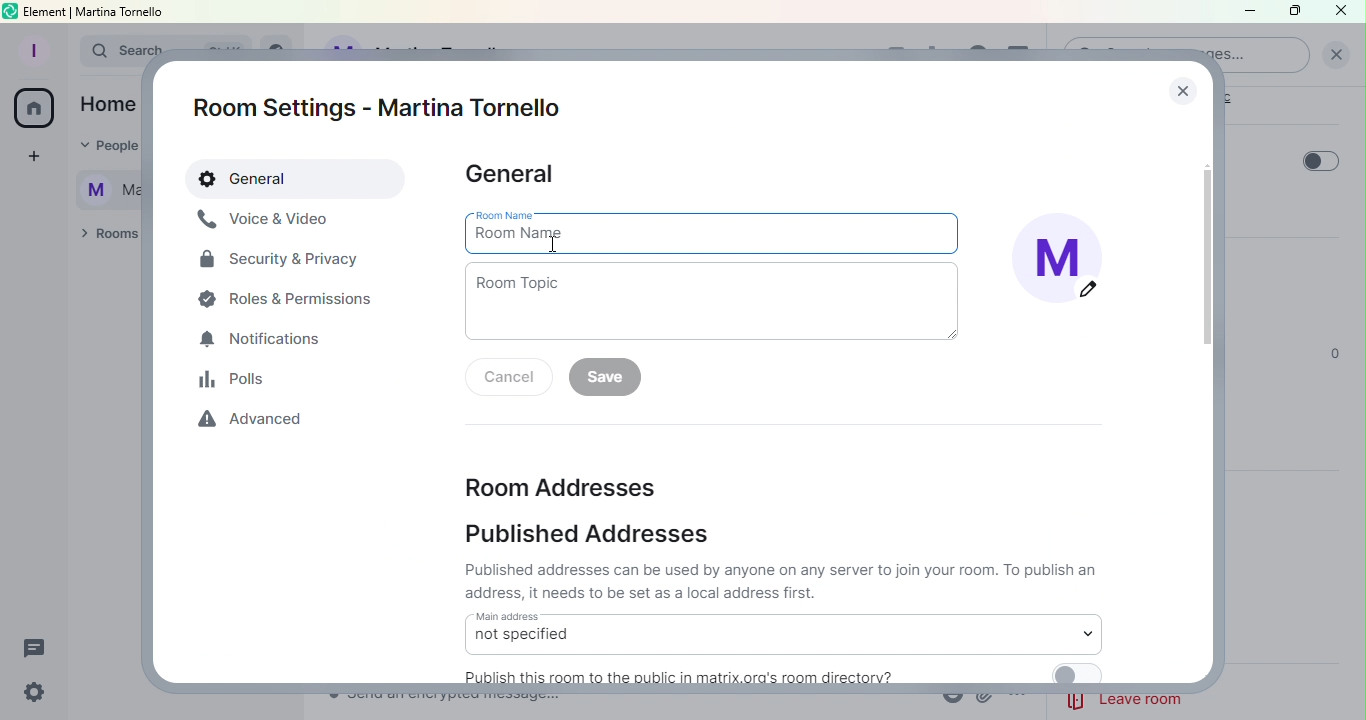 The image size is (1366, 720). I want to click on Polls, so click(239, 379).